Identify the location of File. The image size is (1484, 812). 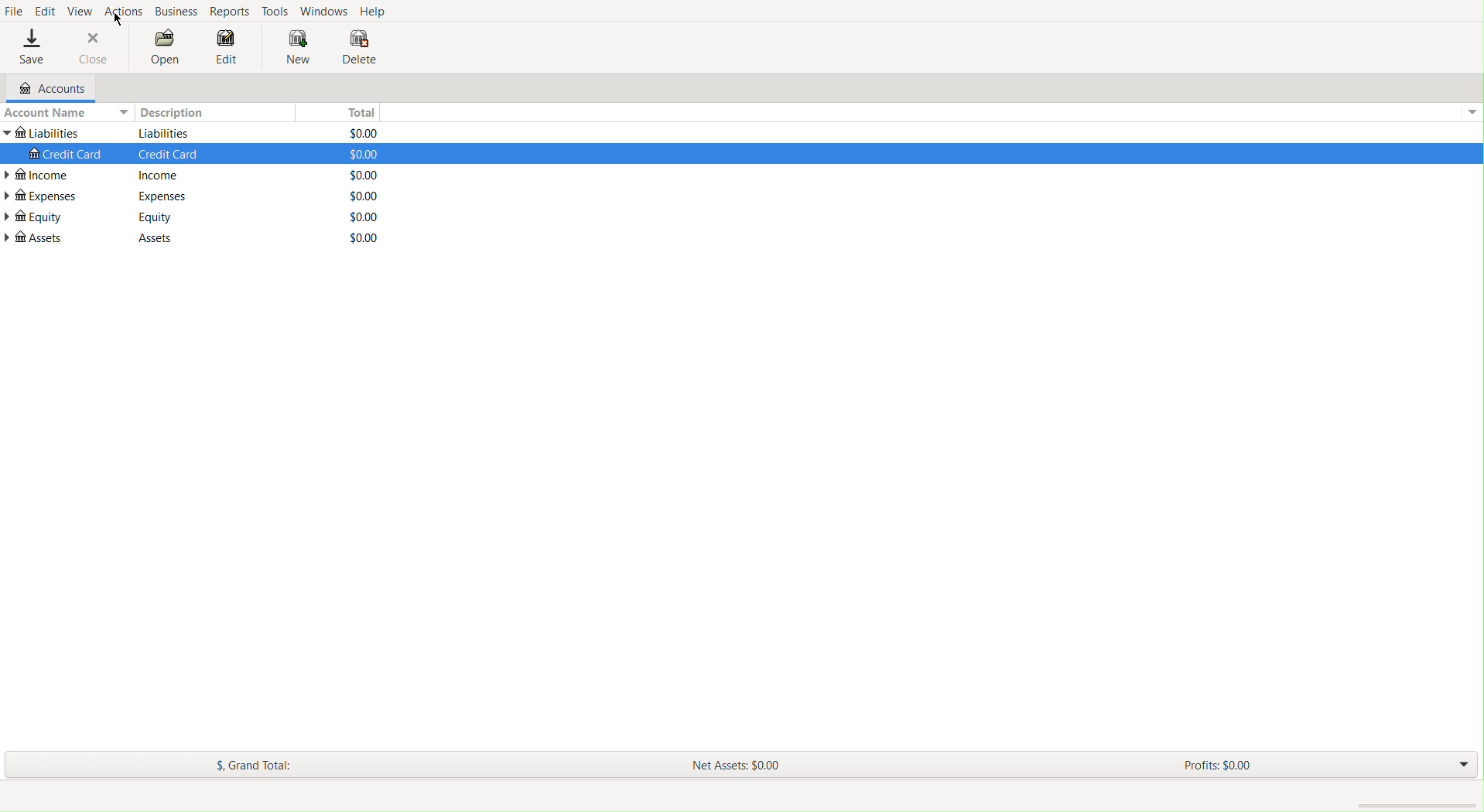
(15, 11).